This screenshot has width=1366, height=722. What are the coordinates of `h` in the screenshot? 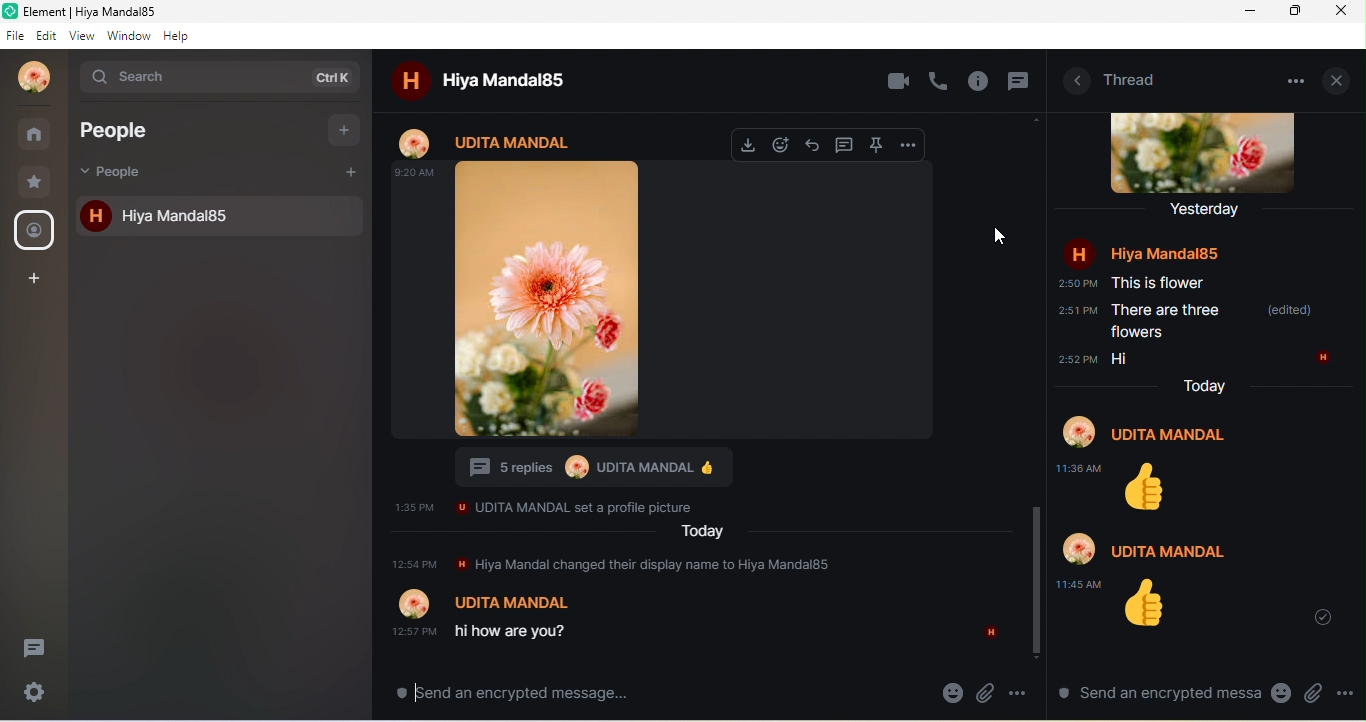 It's located at (93, 216).